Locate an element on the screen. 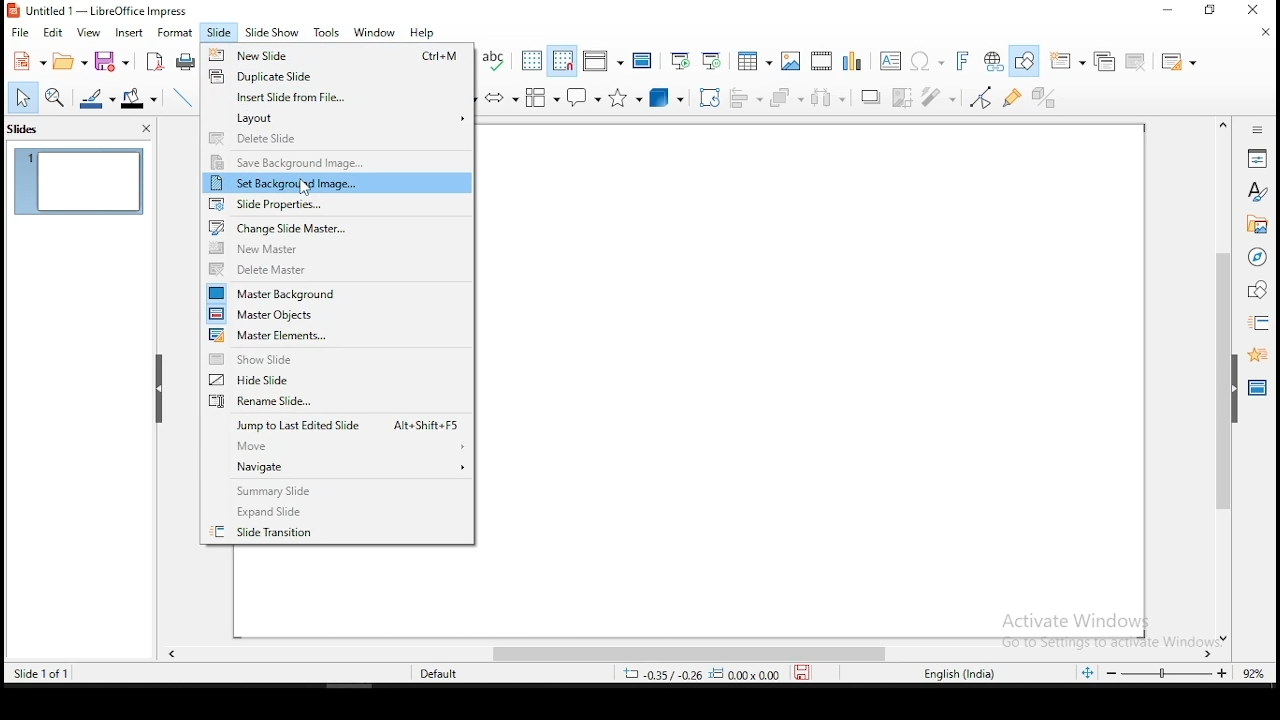  delete slide is located at coordinates (1136, 61).